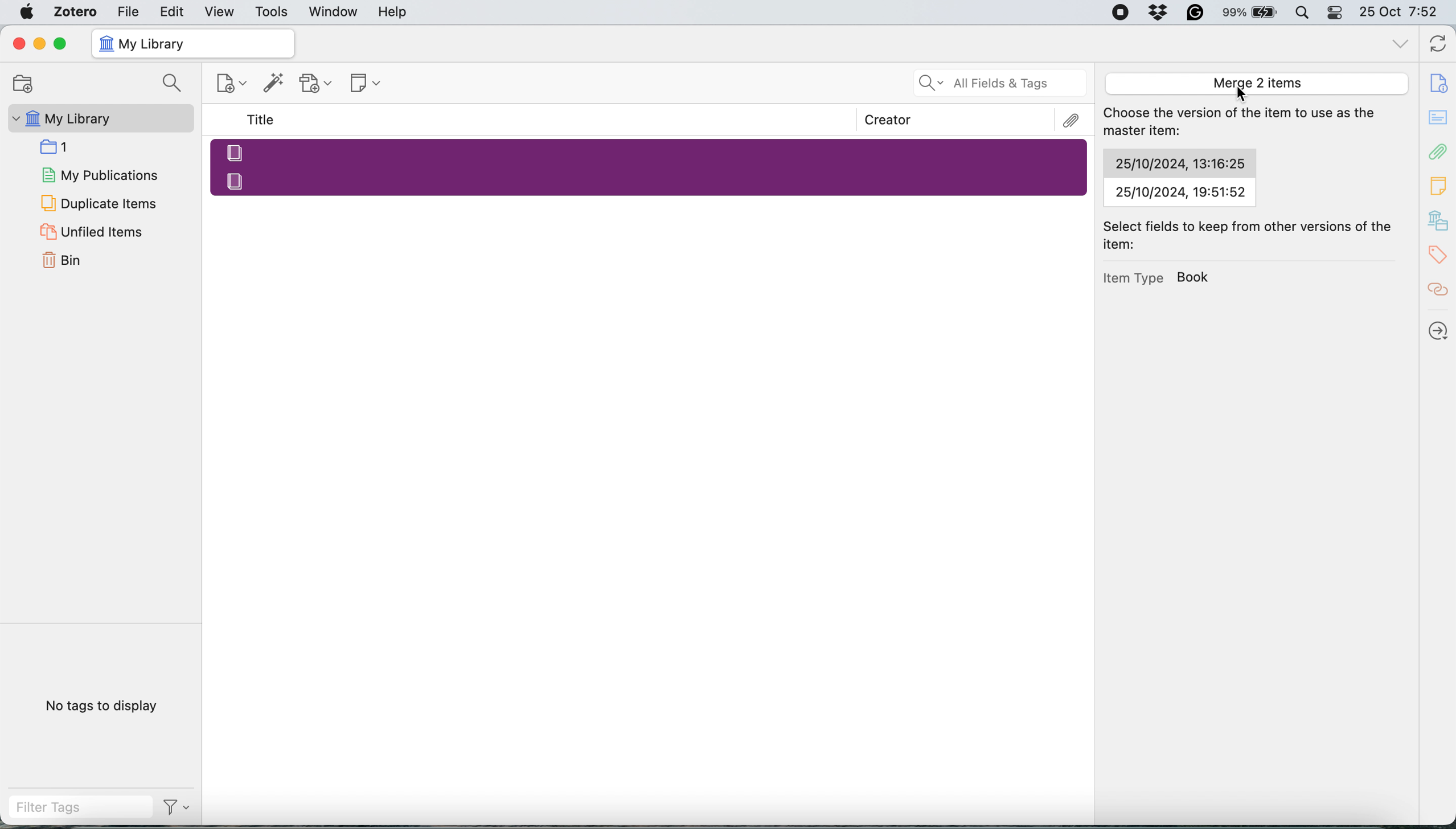 The height and width of the screenshot is (829, 1456). What do you see at coordinates (128, 11) in the screenshot?
I see `File` at bounding box center [128, 11].